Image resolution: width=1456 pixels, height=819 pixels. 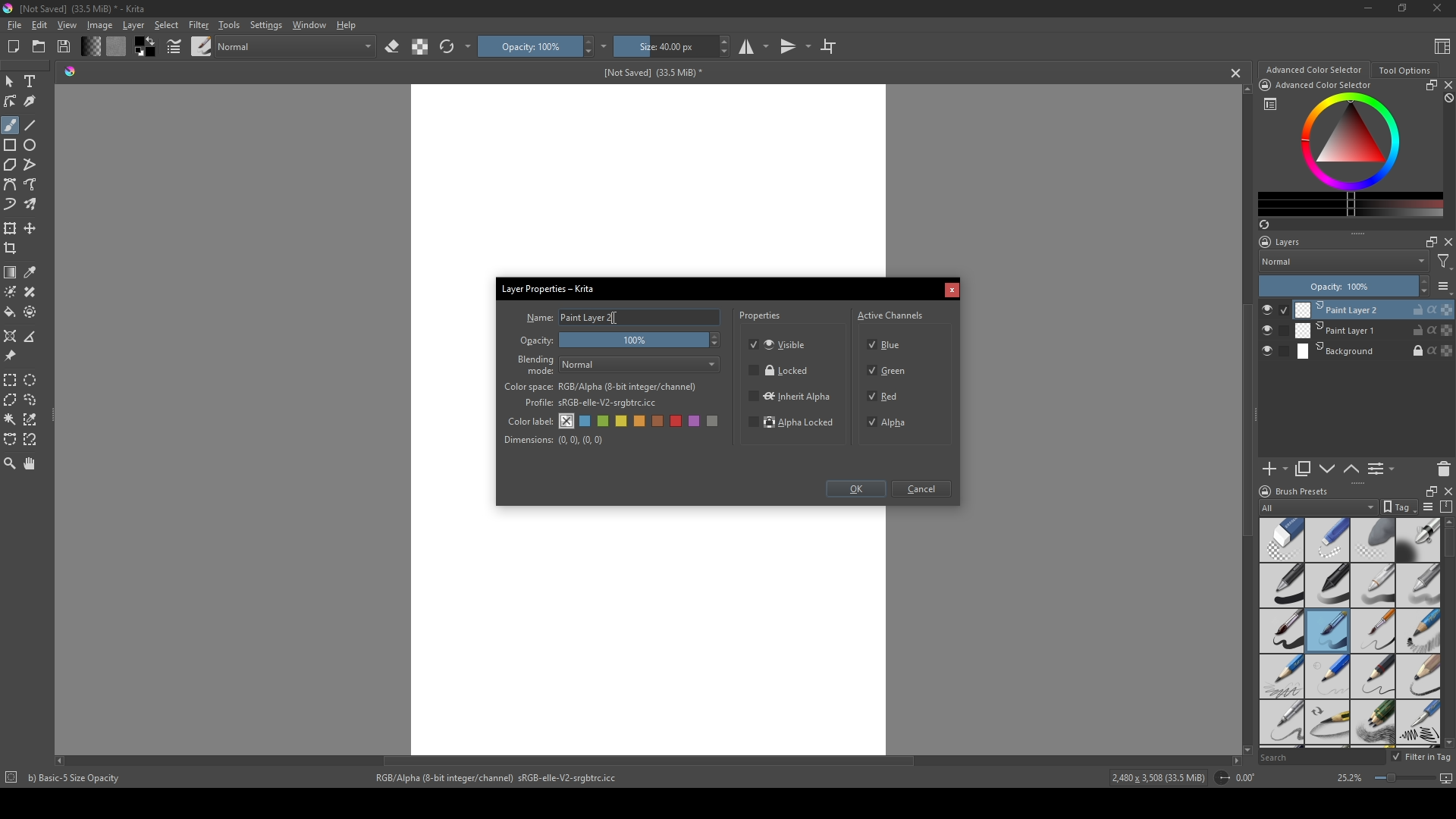 What do you see at coordinates (885, 395) in the screenshot?
I see `Red` at bounding box center [885, 395].